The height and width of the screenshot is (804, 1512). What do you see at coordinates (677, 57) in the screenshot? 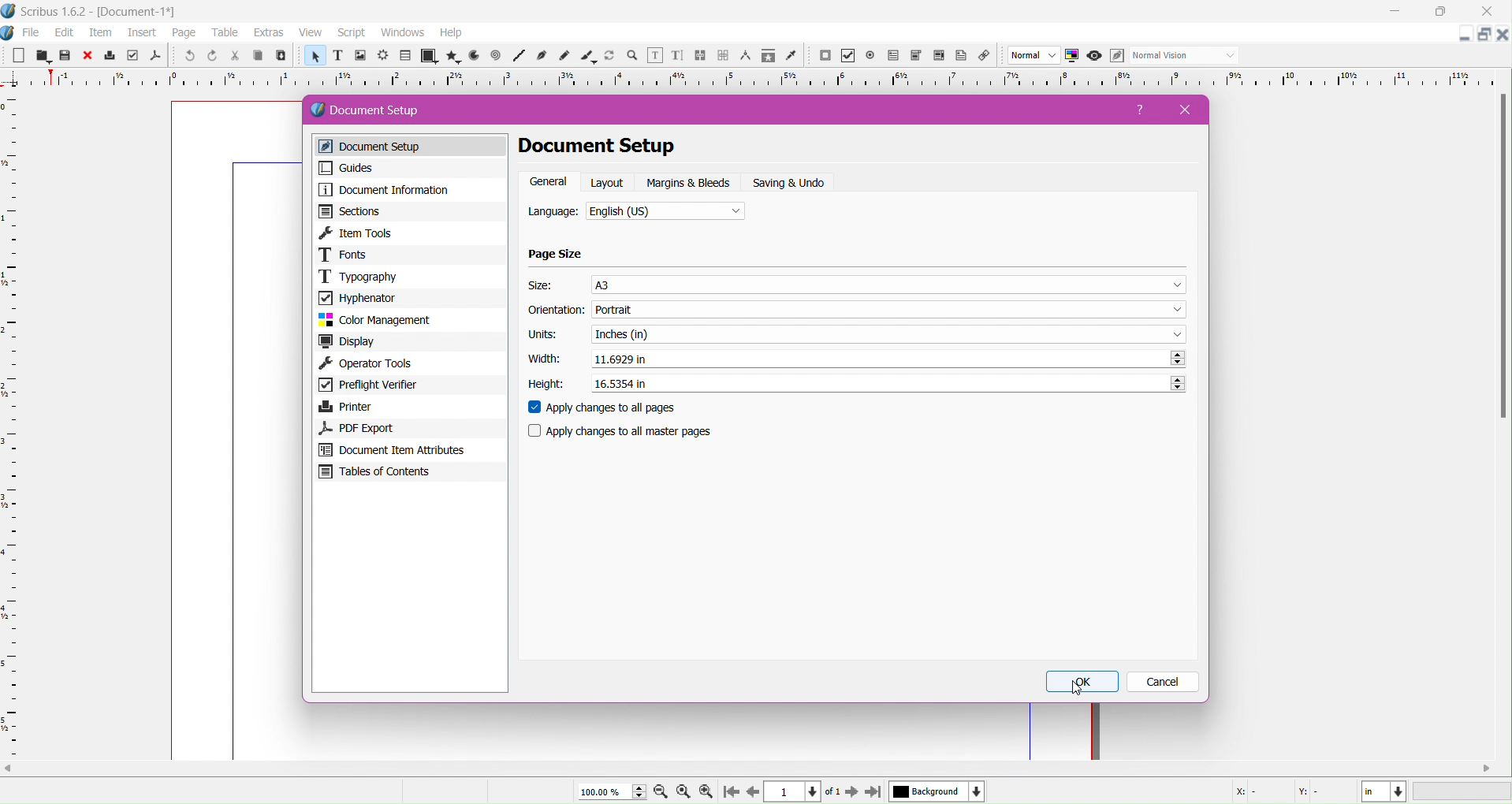
I see `edit text with story editor` at bounding box center [677, 57].